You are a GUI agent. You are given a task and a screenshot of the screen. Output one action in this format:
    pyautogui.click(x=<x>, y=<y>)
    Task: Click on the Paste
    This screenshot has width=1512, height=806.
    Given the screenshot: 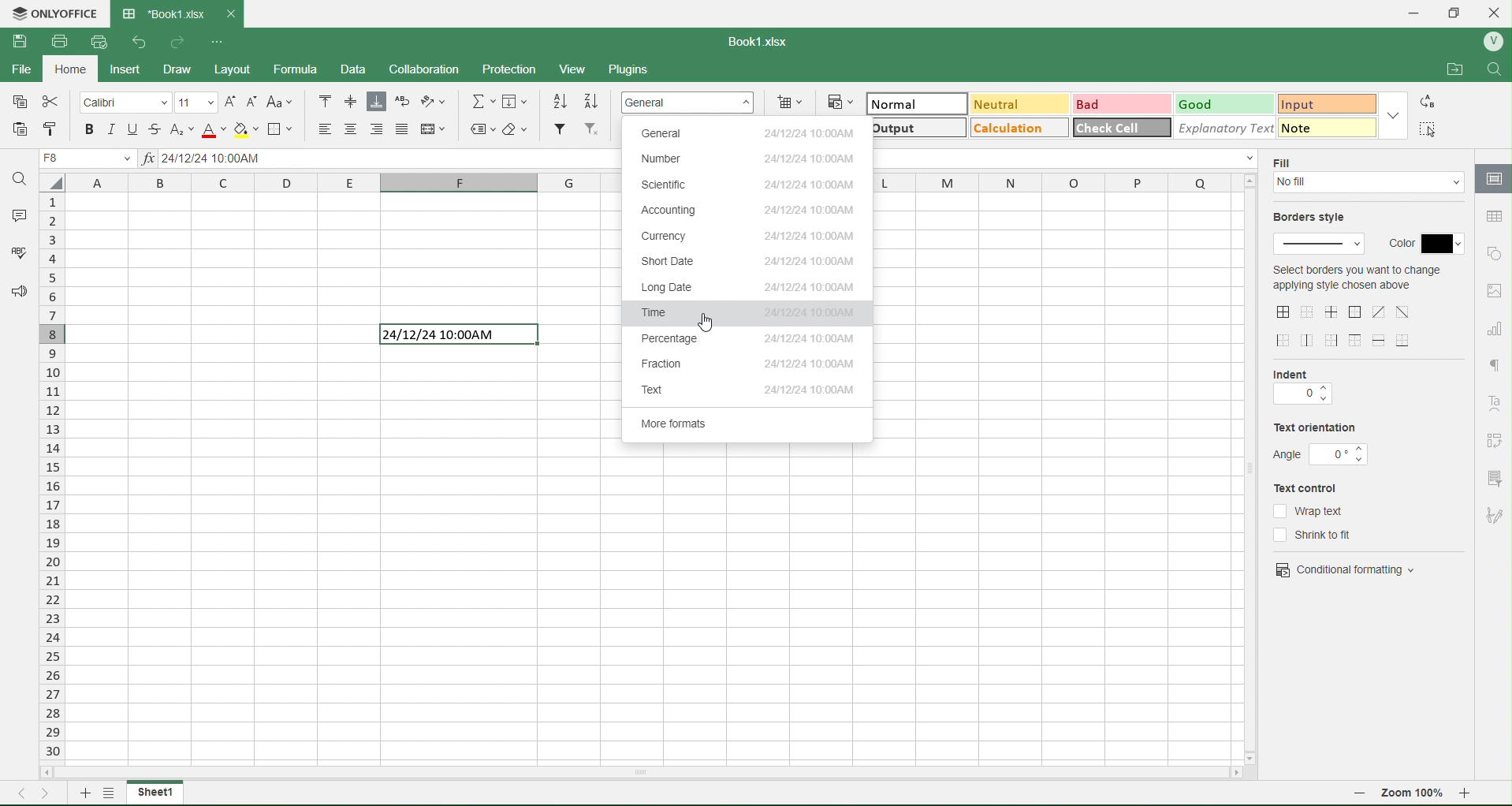 What is the action you would take?
    pyautogui.click(x=20, y=129)
    